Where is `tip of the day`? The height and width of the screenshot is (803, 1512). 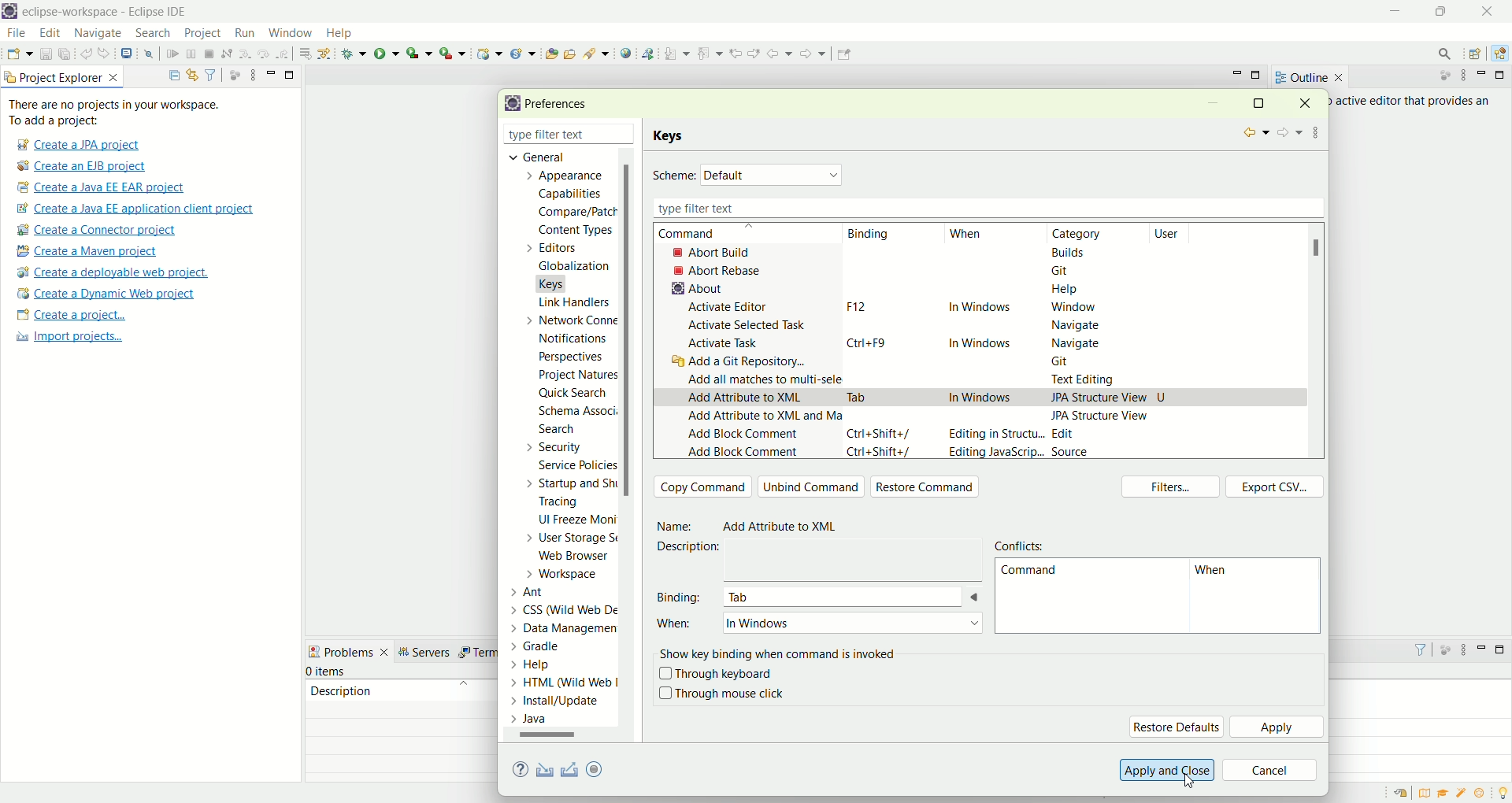 tip of the day is located at coordinates (1503, 791).